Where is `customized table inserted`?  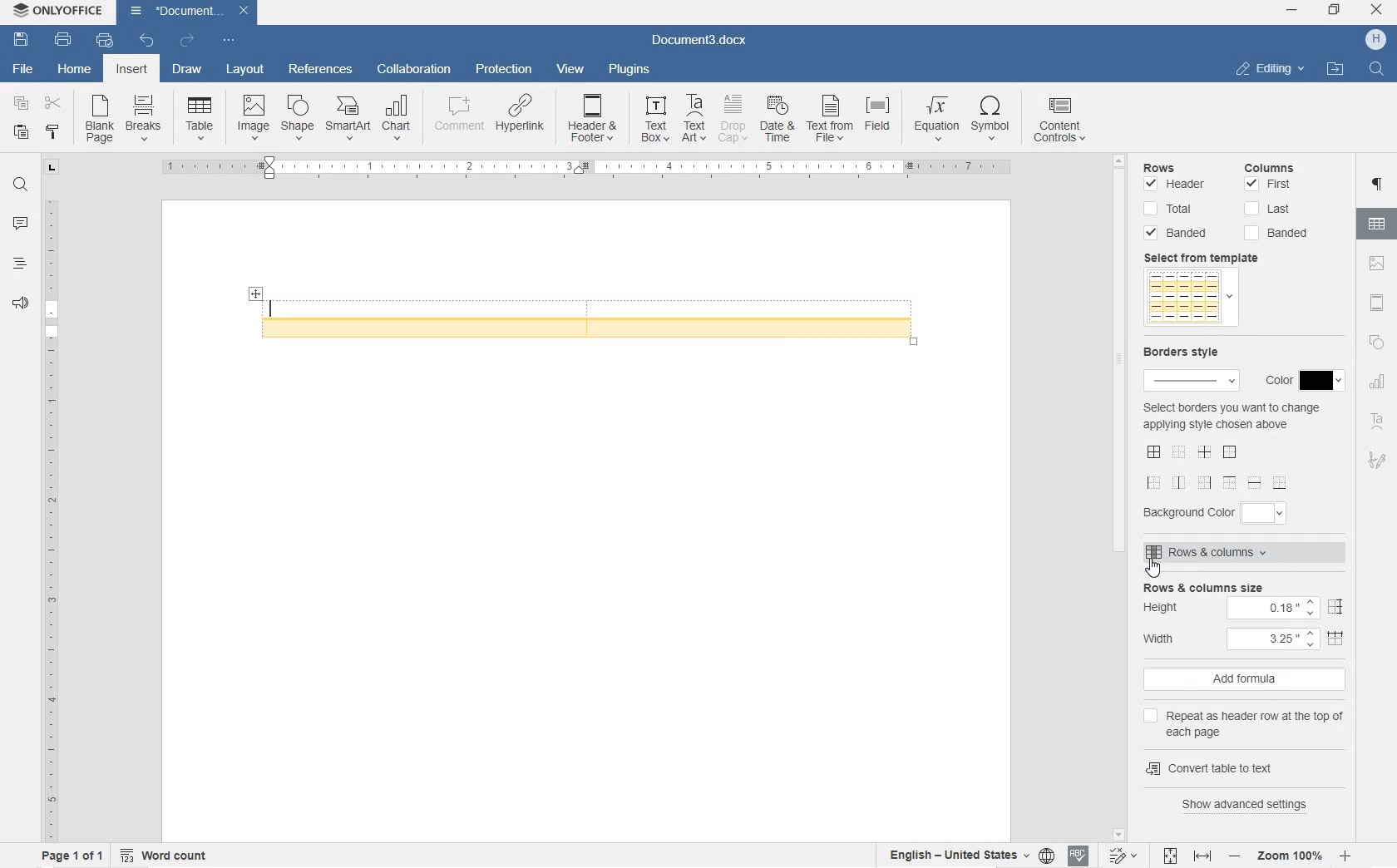
customized table inserted is located at coordinates (594, 314).